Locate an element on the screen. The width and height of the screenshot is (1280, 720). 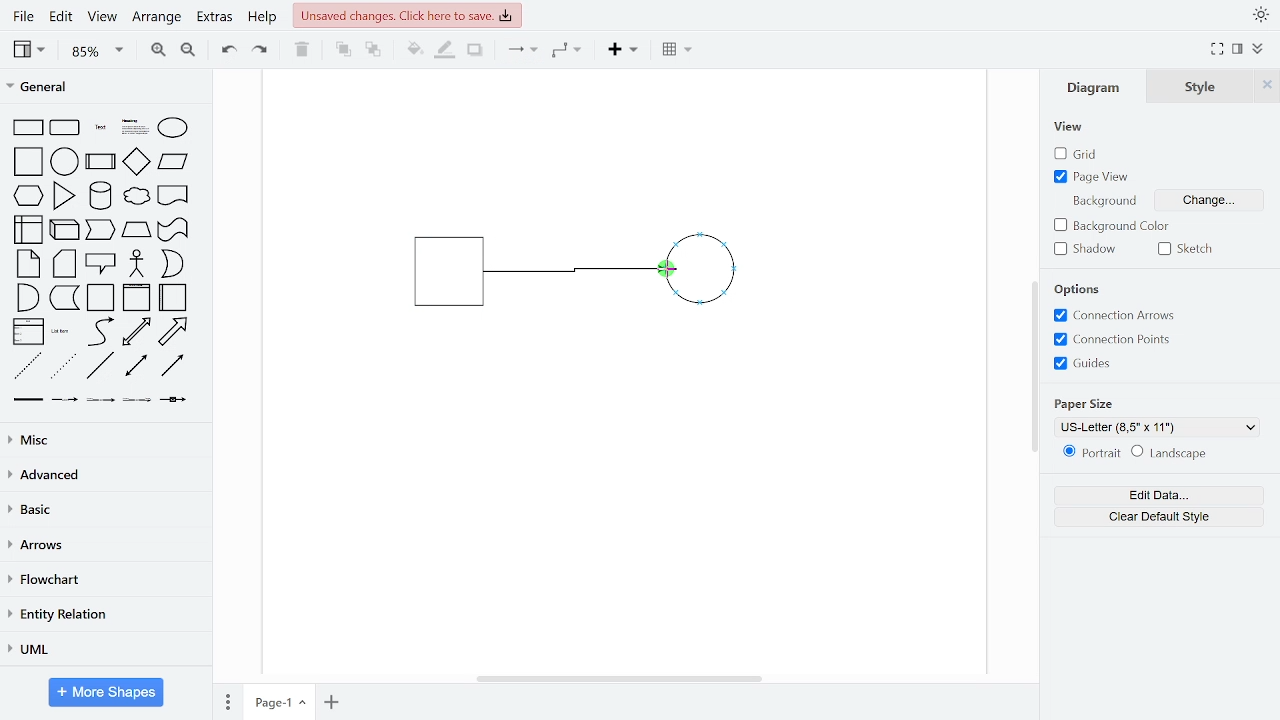
curve is located at coordinates (101, 331).